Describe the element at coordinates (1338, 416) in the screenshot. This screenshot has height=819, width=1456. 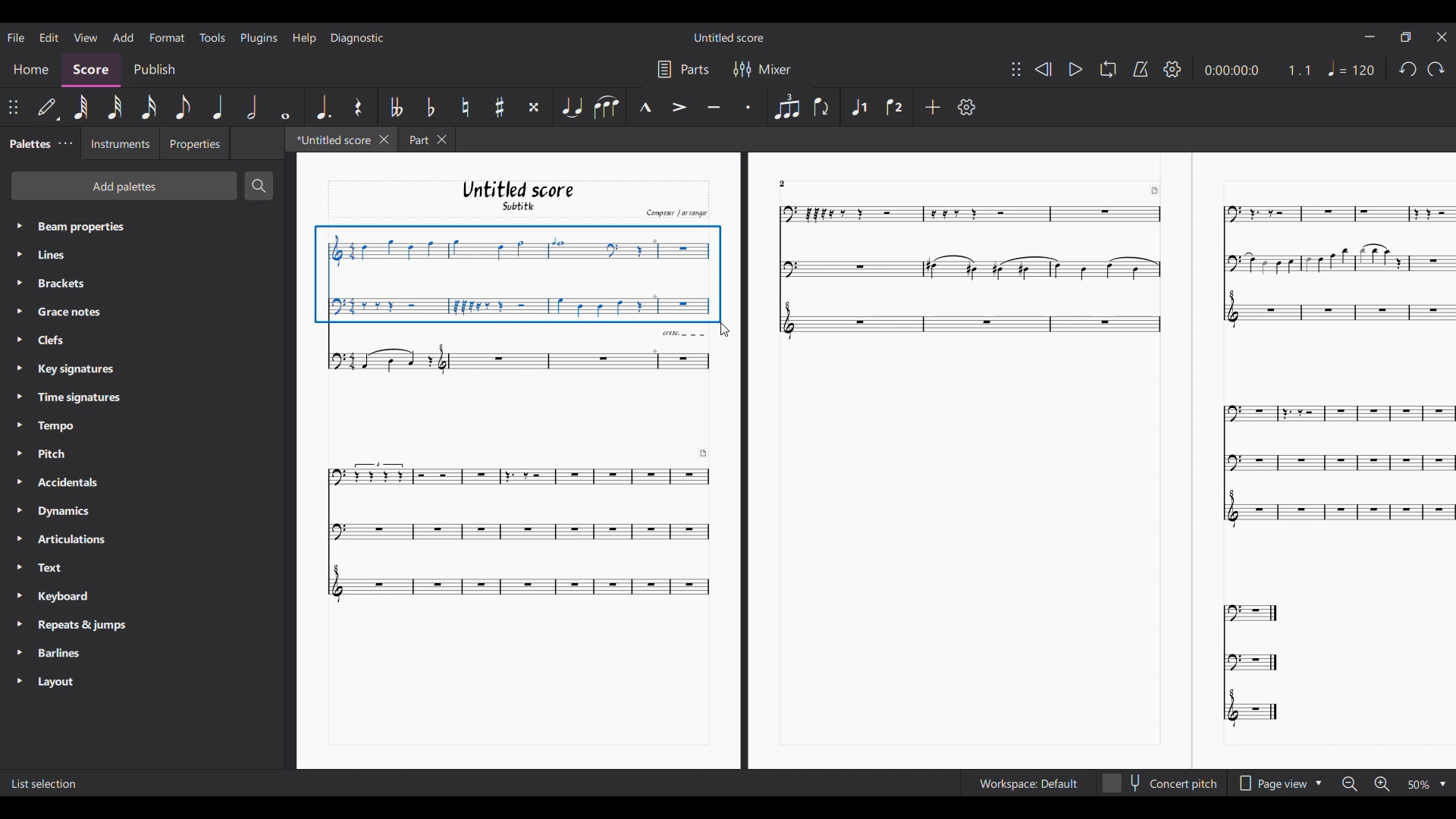
I see `` at that location.